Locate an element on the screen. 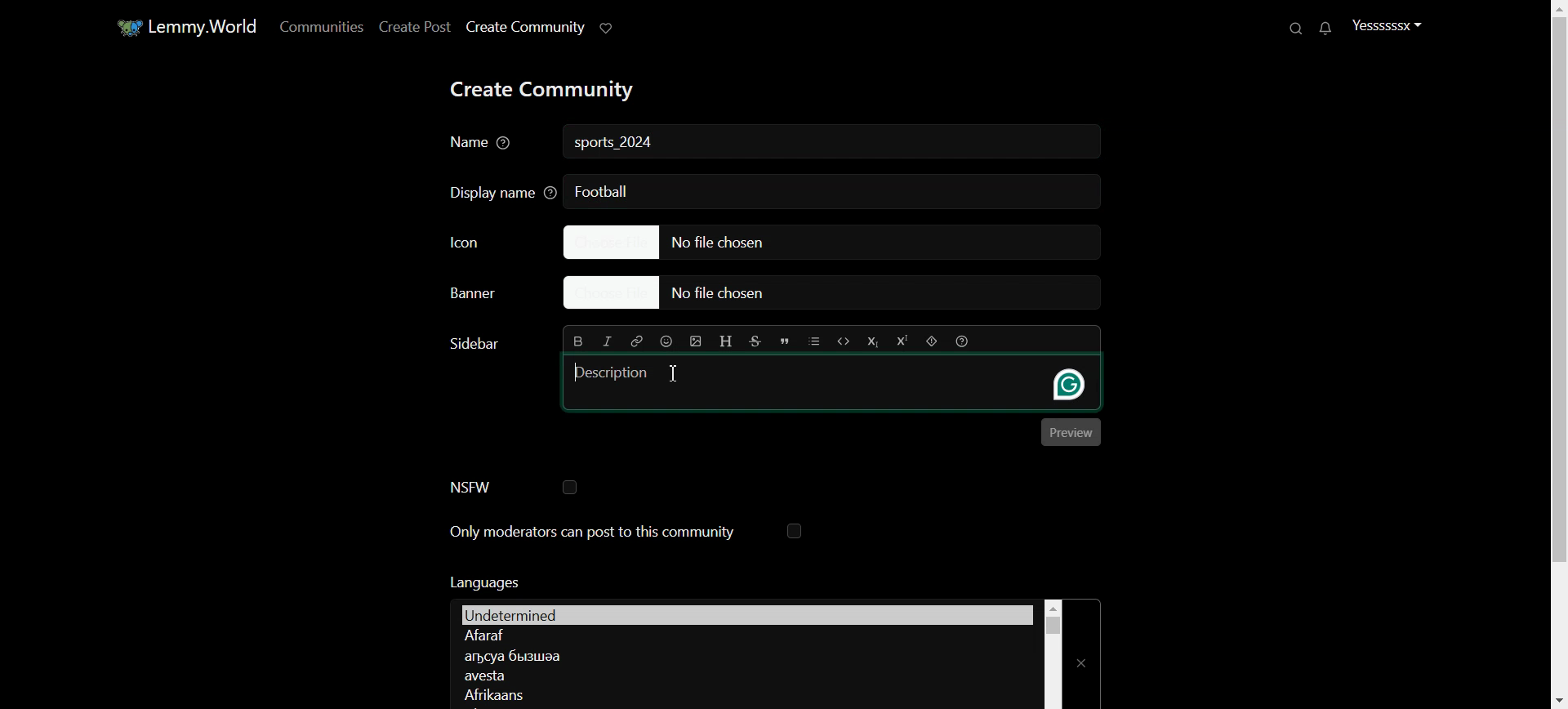  Home window is located at coordinates (185, 25).